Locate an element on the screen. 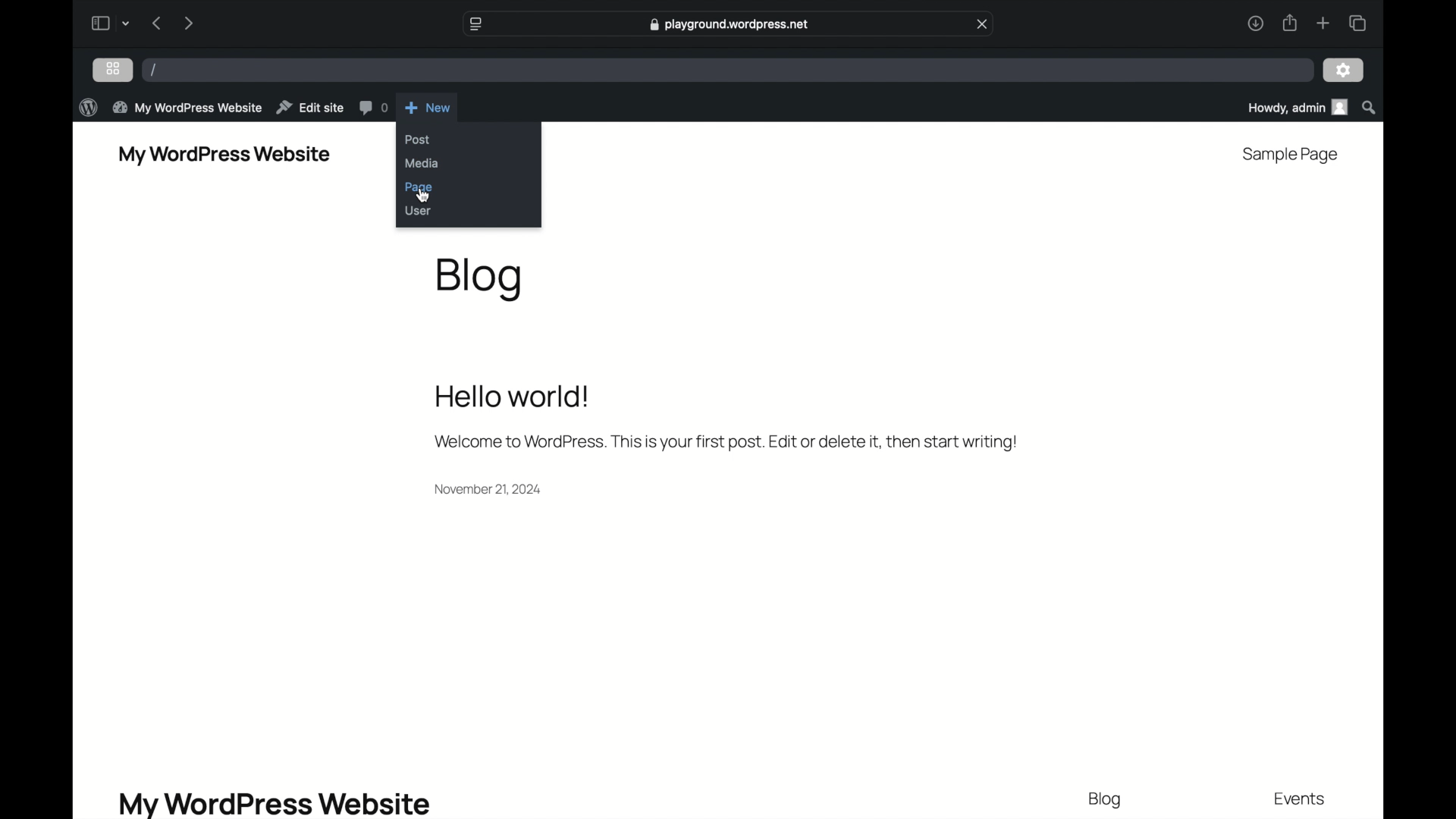 This screenshot has height=819, width=1456. downloads is located at coordinates (1255, 23).